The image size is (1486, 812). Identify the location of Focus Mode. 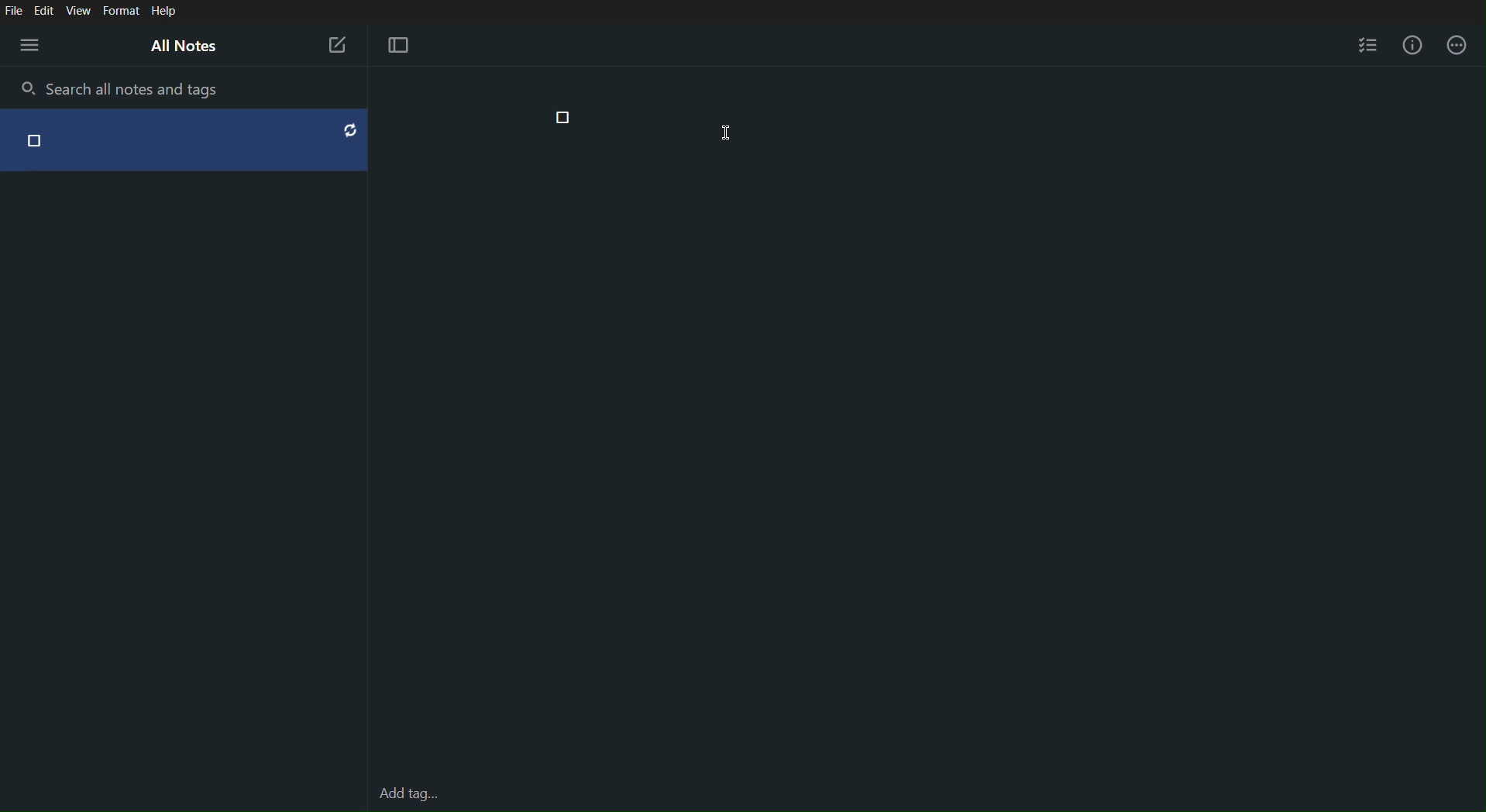
(397, 46).